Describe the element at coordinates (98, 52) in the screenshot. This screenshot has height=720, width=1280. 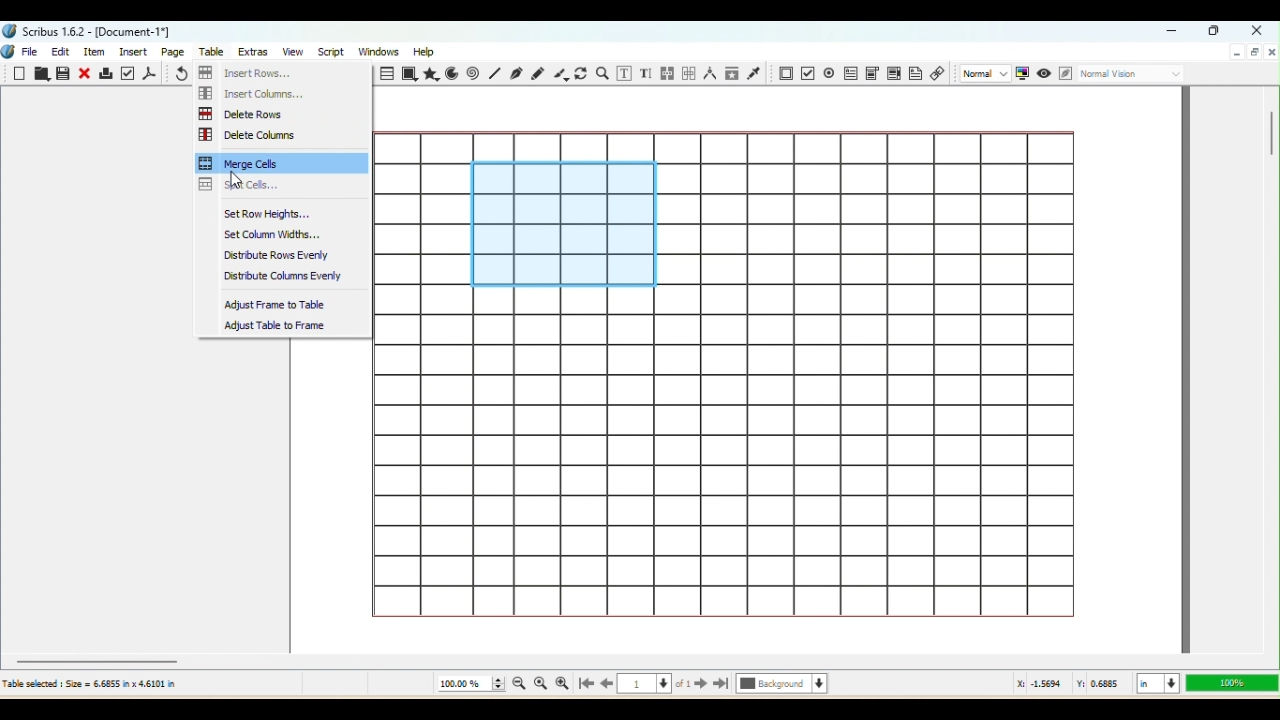
I see `Item` at that location.